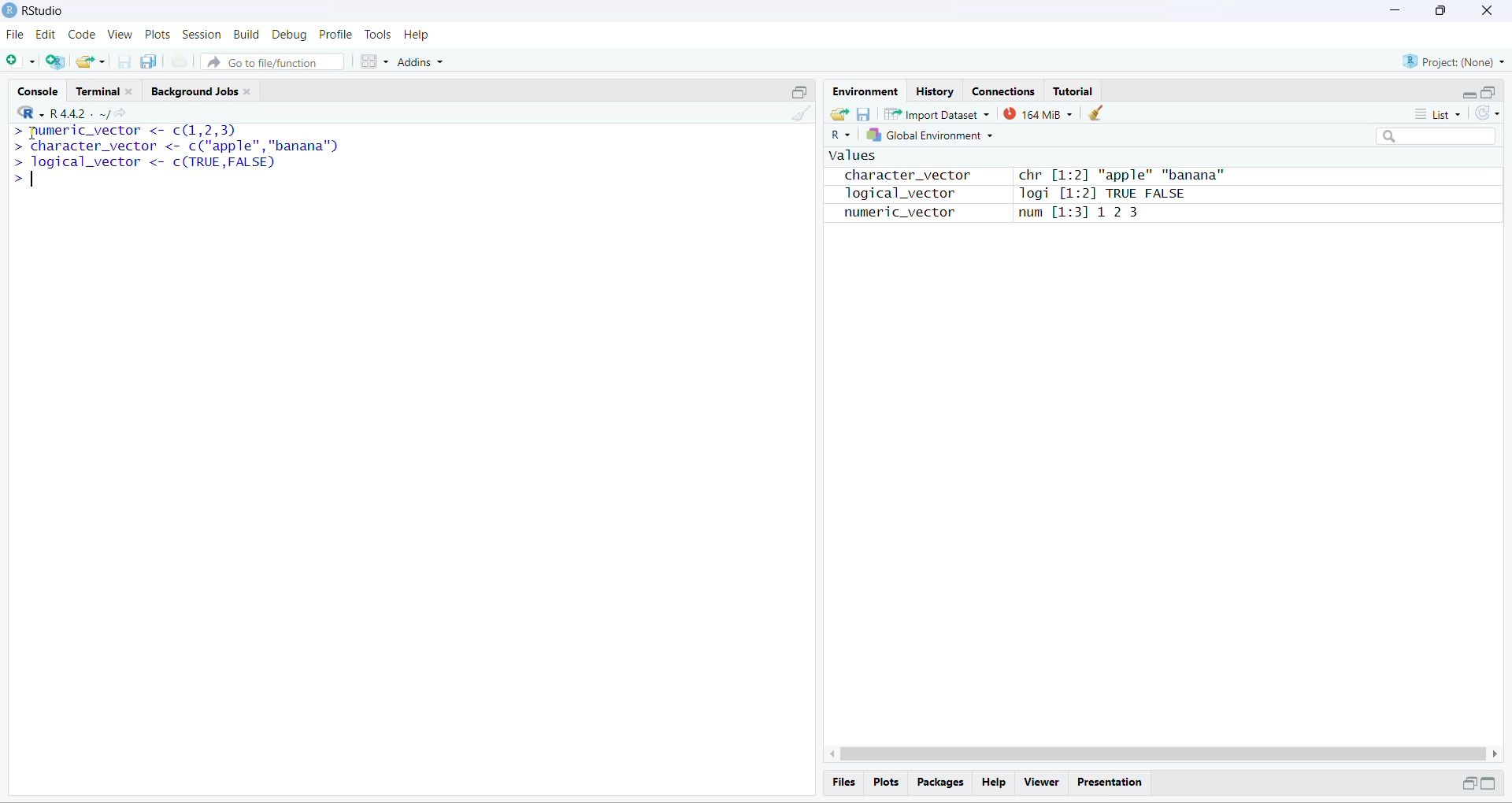 The image size is (1512, 803). Describe the element at coordinates (45, 35) in the screenshot. I see `edit` at that location.